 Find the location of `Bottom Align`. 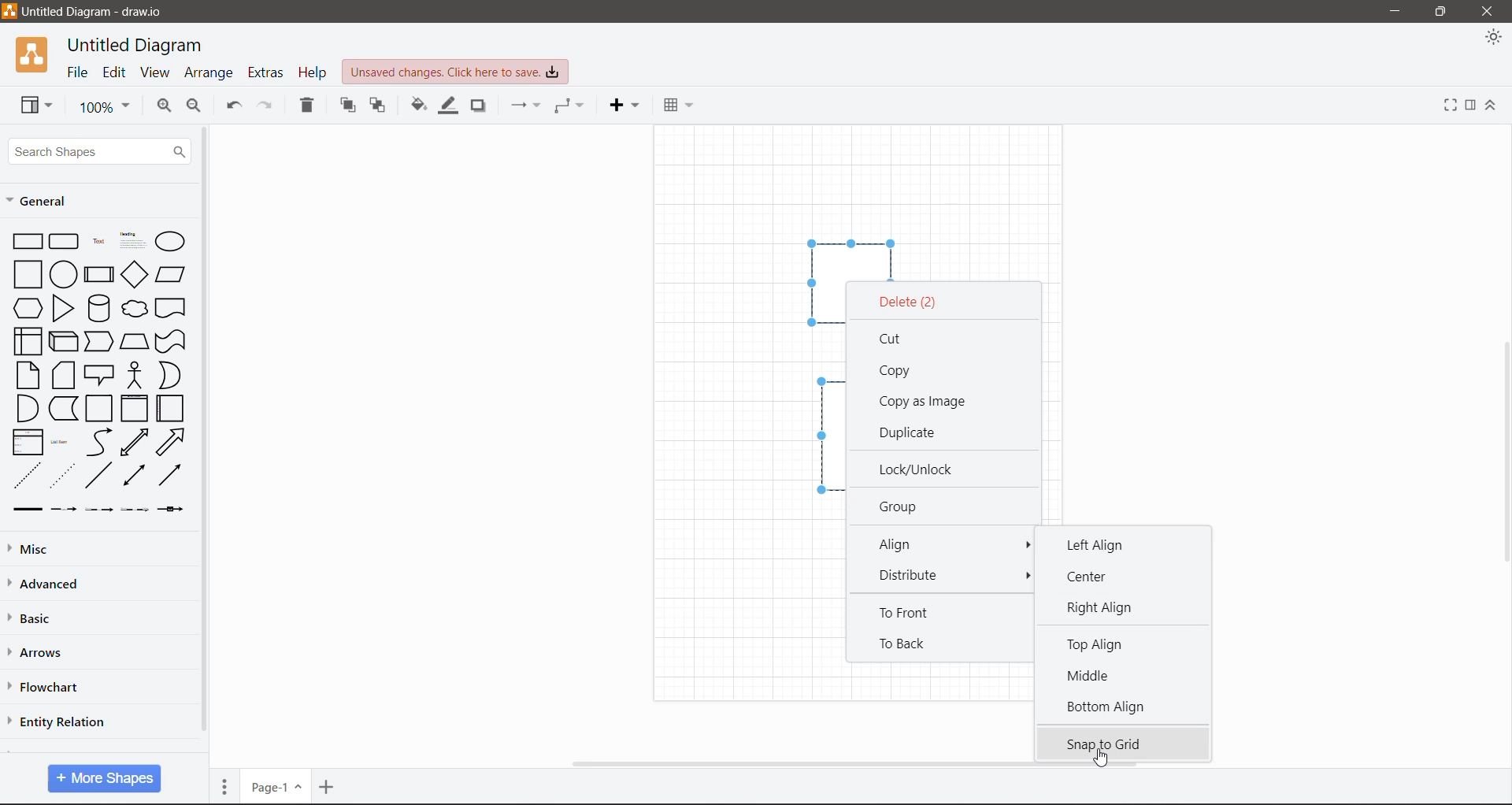

Bottom Align is located at coordinates (1106, 708).